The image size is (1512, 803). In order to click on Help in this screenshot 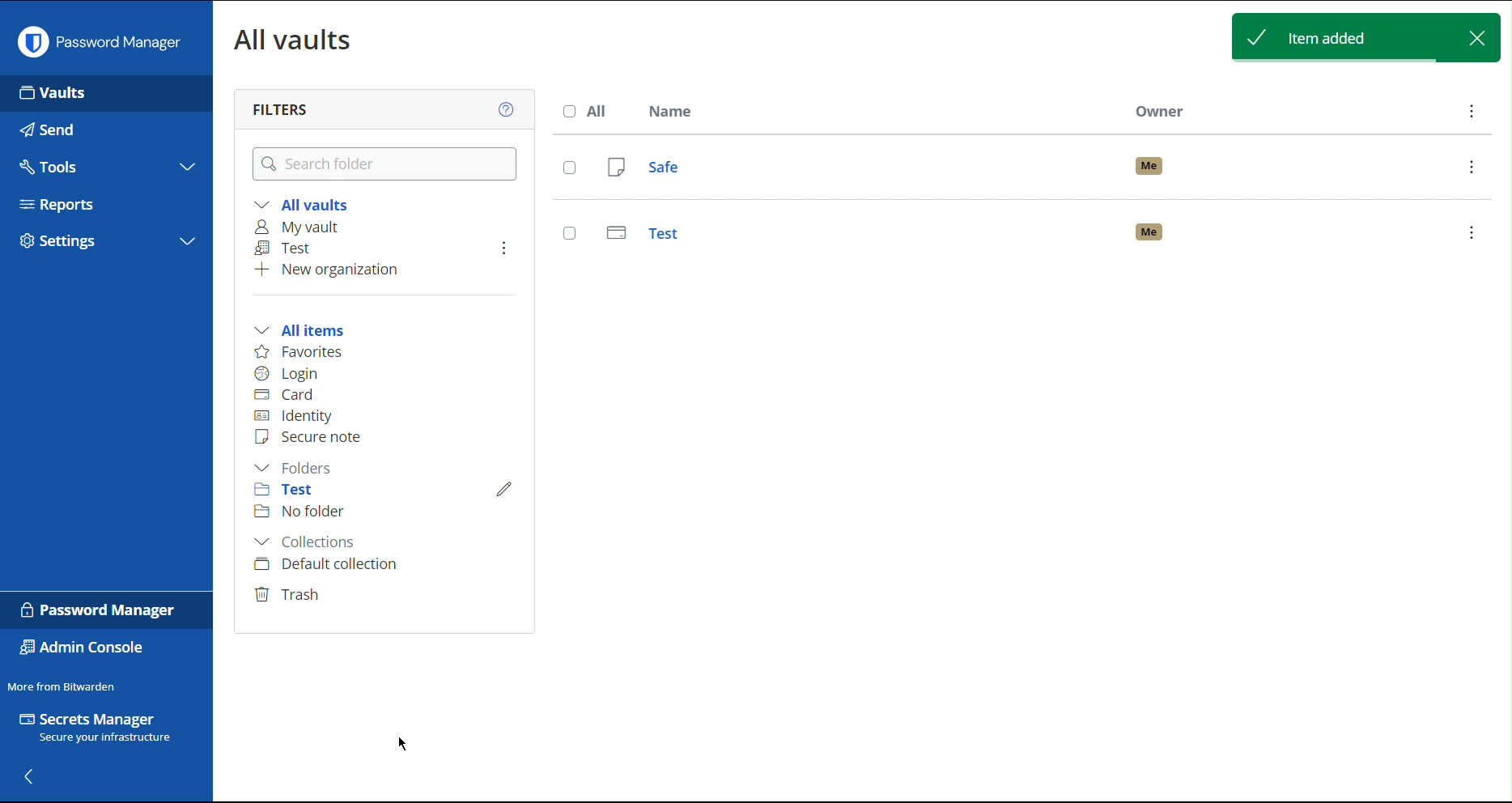, I will do `click(511, 108)`.